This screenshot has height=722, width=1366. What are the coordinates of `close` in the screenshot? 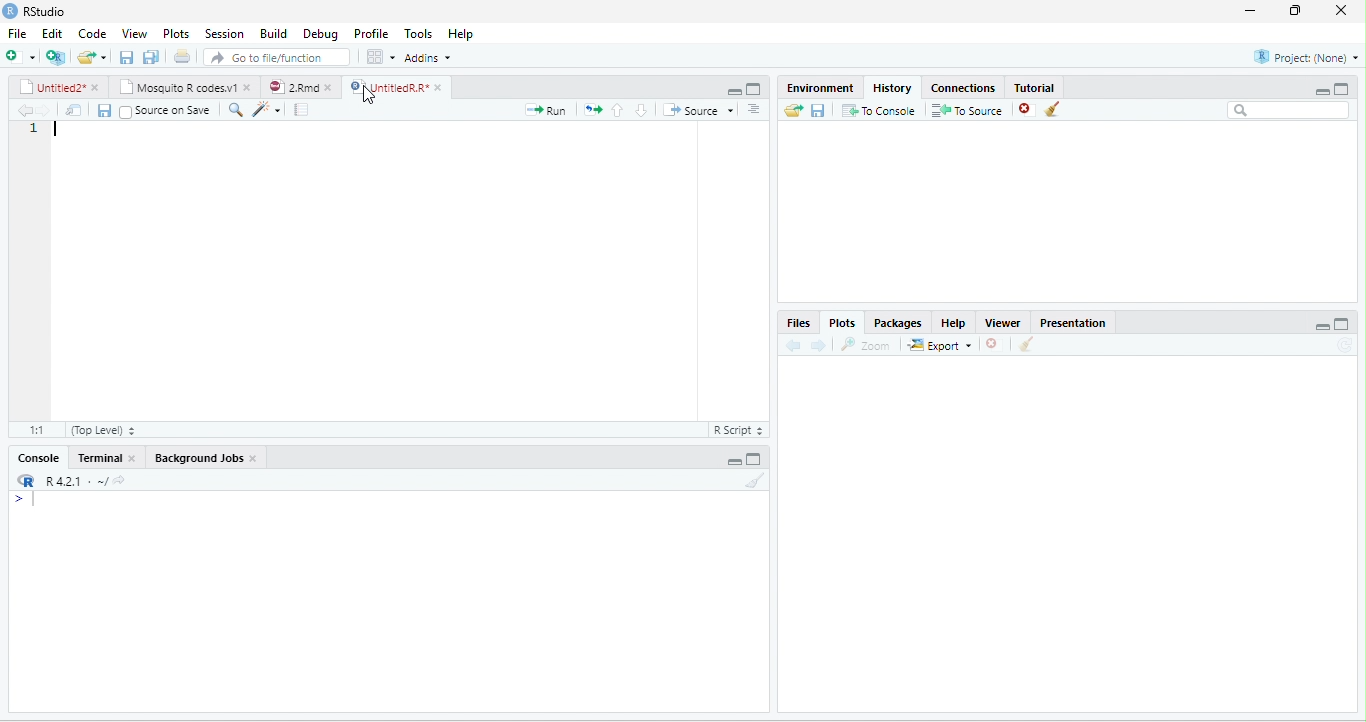 It's located at (1021, 110).